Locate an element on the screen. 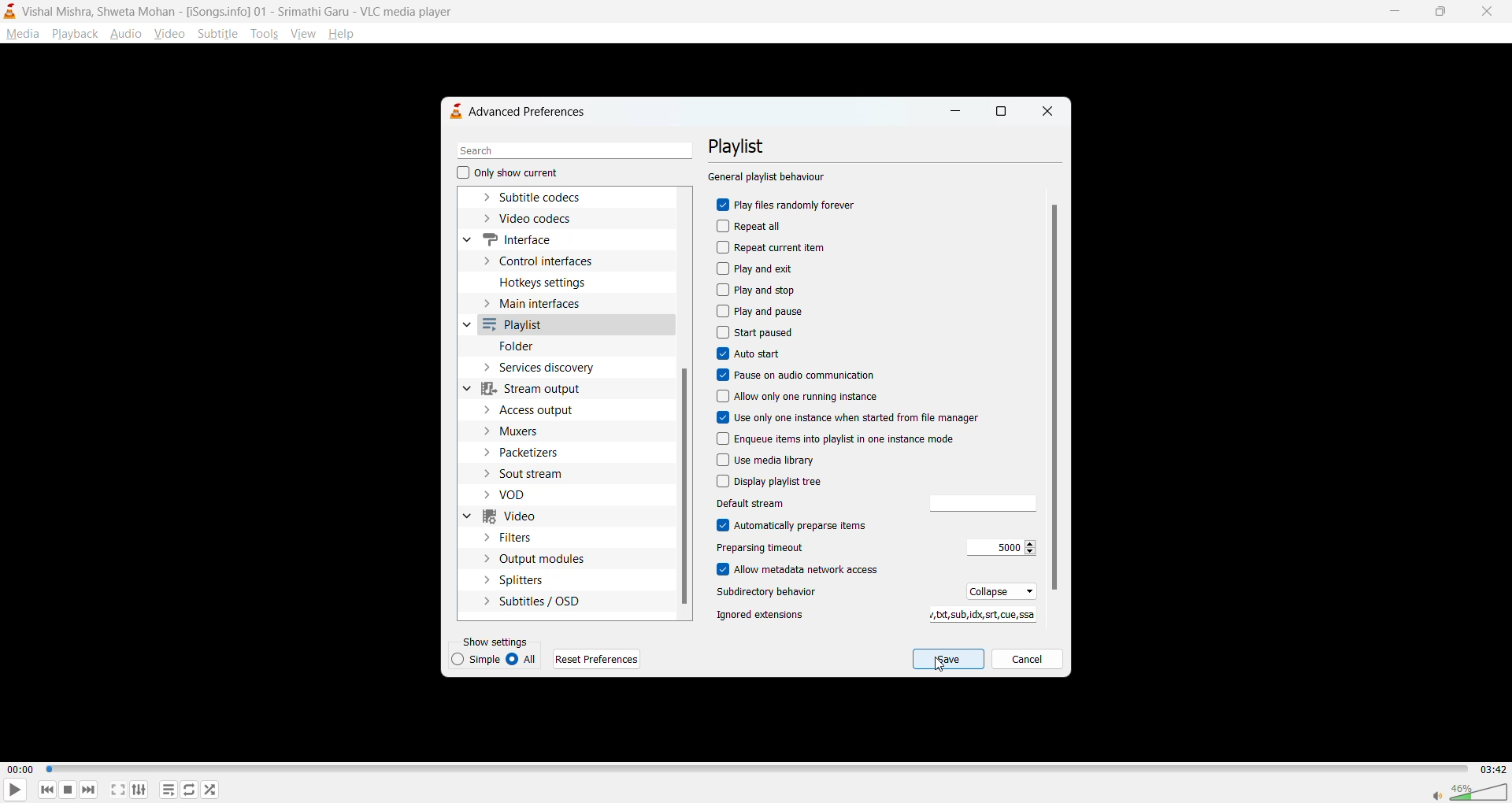 Image resolution: width=1512 pixels, height=803 pixels. close is located at coordinates (1045, 112).